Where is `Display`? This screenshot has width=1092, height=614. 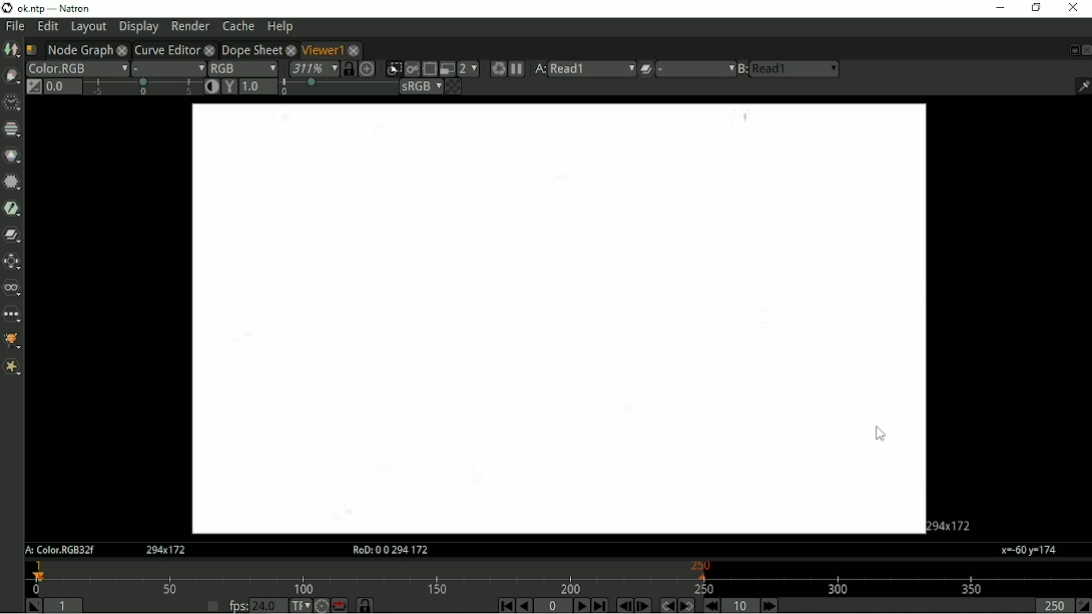 Display is located at coordinates (139, 27).